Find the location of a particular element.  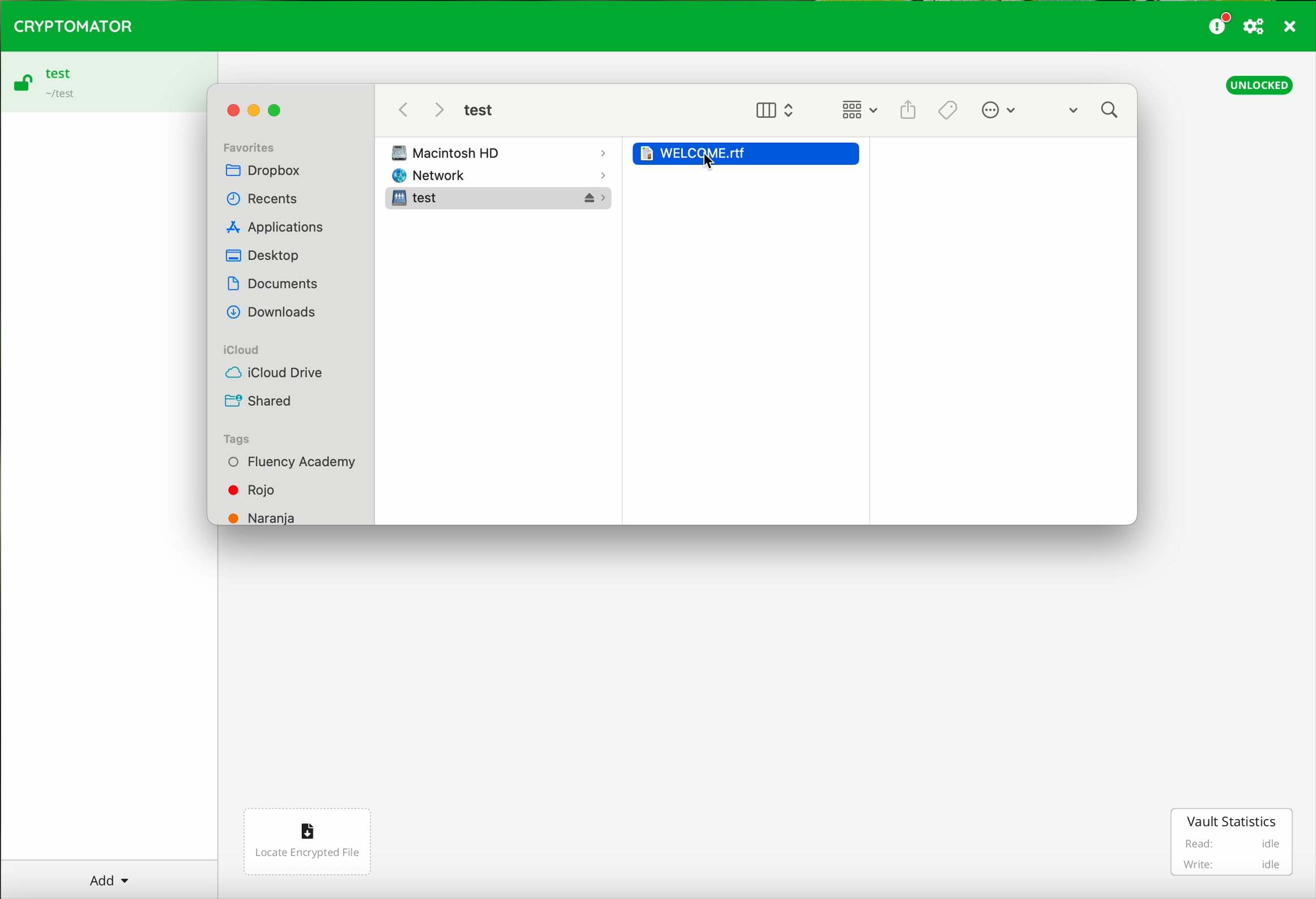

Downloads is located at coordinates (272, 312).